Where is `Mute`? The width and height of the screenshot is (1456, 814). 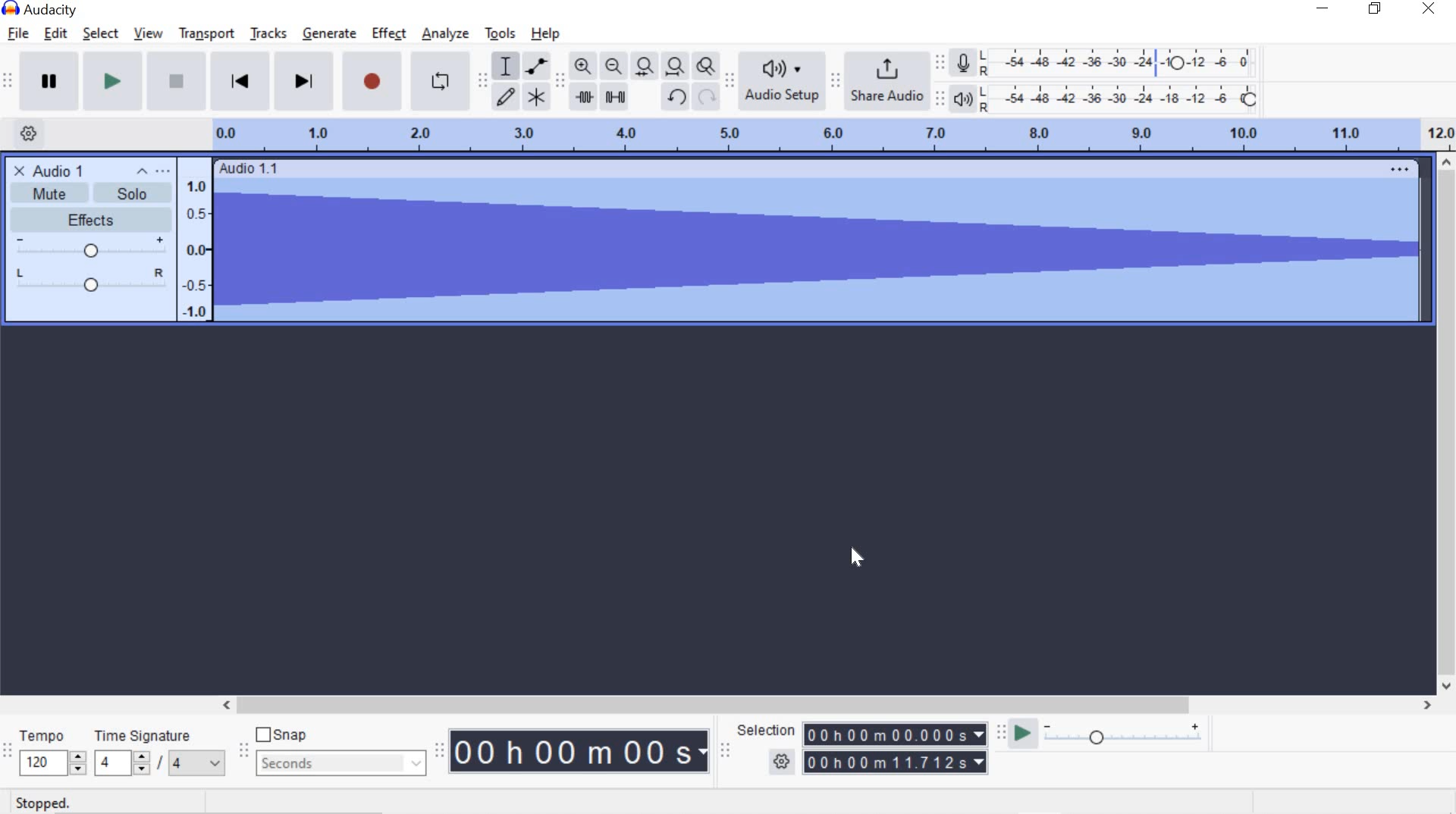 Mute is located at coordinates (51, 193).